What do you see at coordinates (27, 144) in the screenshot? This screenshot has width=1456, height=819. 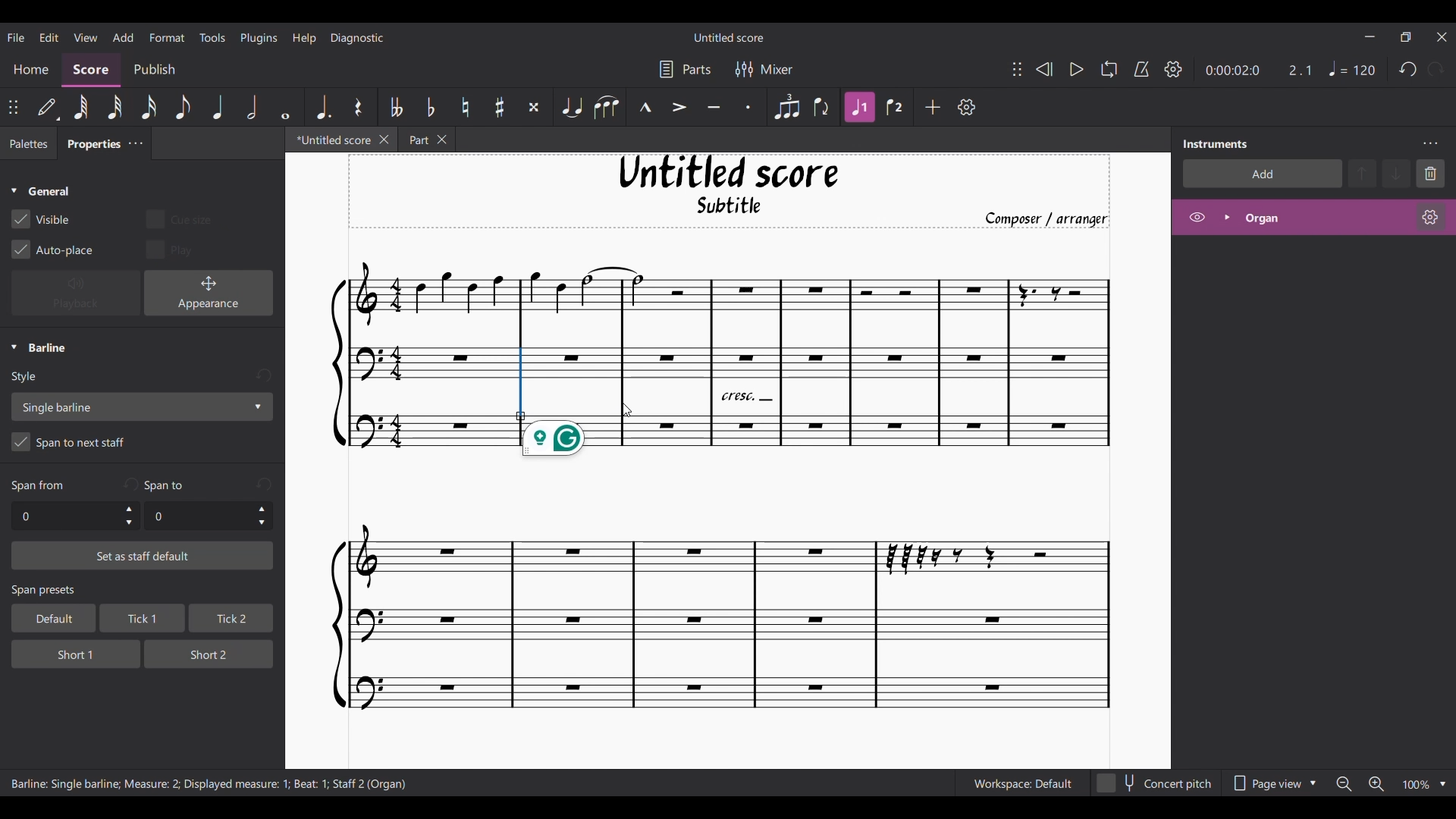 I see `Palette tab` at bounding box center [27, 144].